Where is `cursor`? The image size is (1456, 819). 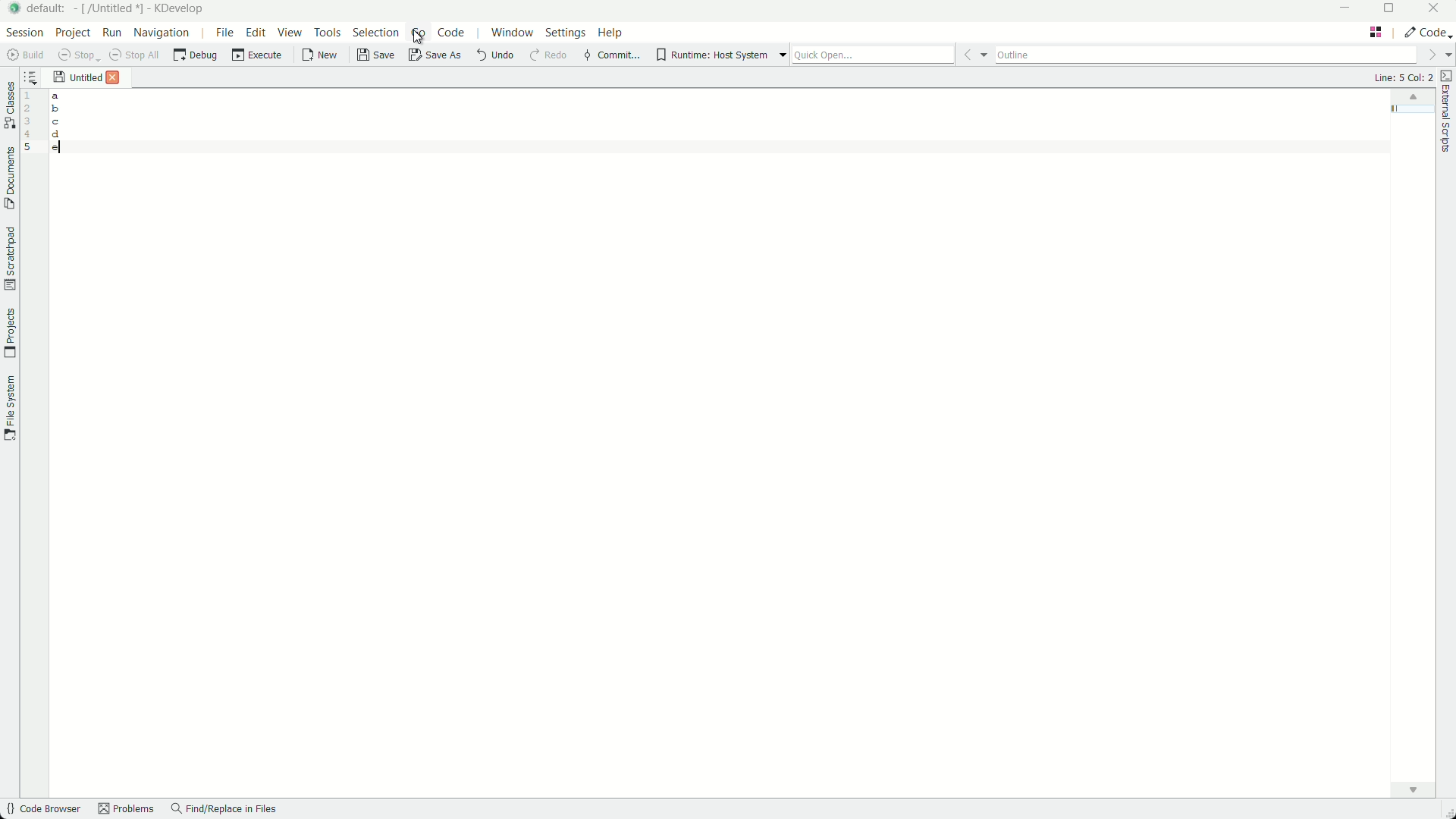 cursor is located at coordinates (422, 36).